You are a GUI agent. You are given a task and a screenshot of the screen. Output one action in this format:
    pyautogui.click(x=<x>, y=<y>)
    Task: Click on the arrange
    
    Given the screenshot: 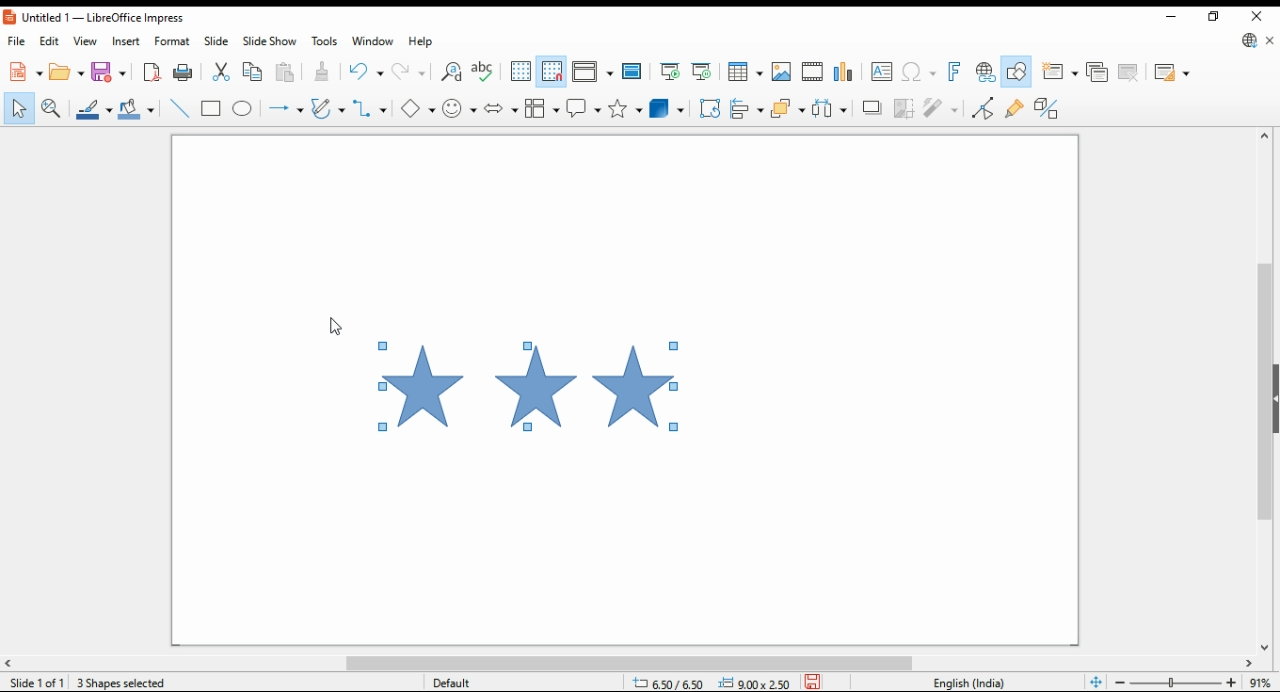 What is the action you would take?
    pyautogui.click(x=789, y=108)
    